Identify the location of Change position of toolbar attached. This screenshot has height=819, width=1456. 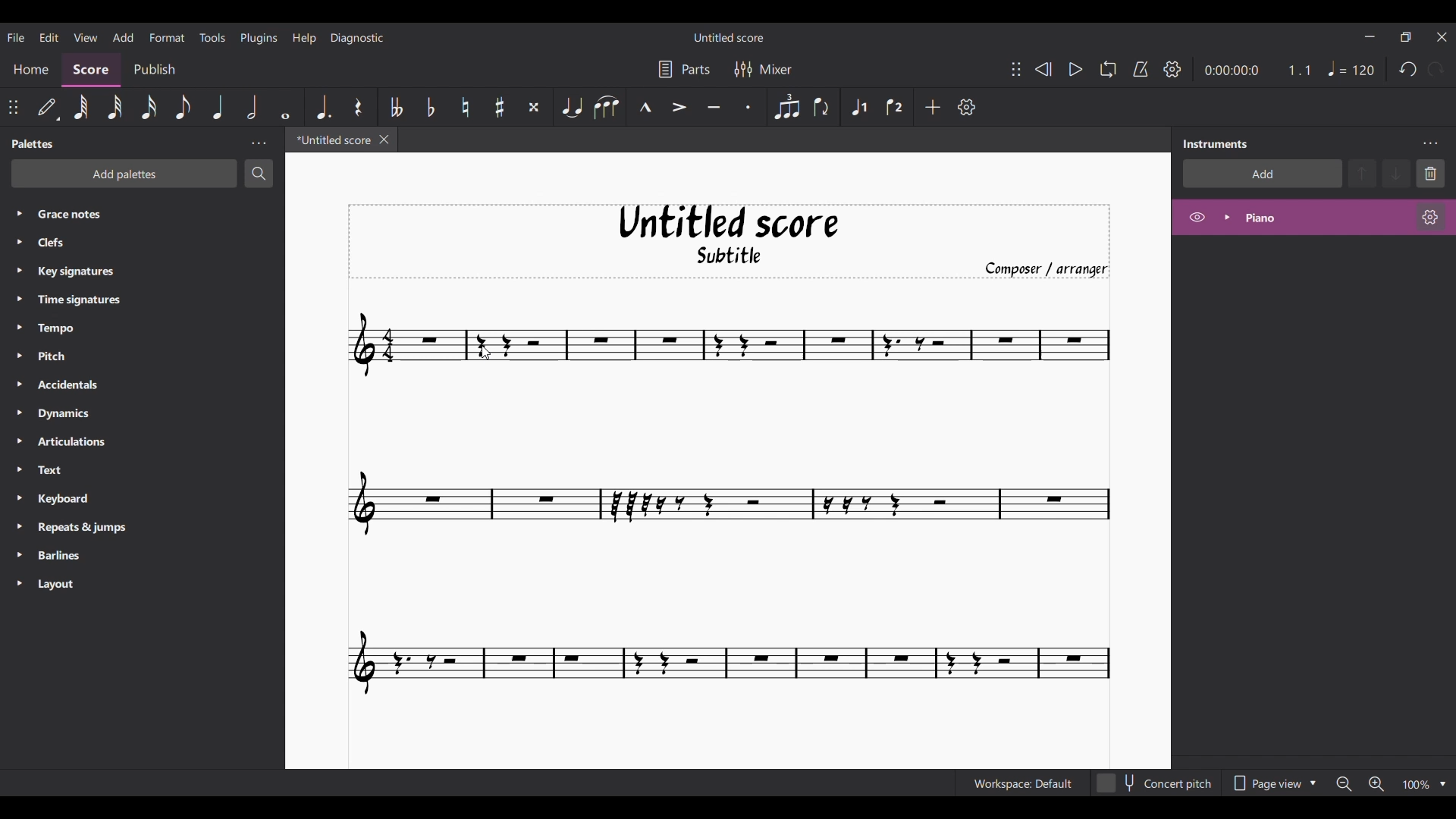
(13, 107).